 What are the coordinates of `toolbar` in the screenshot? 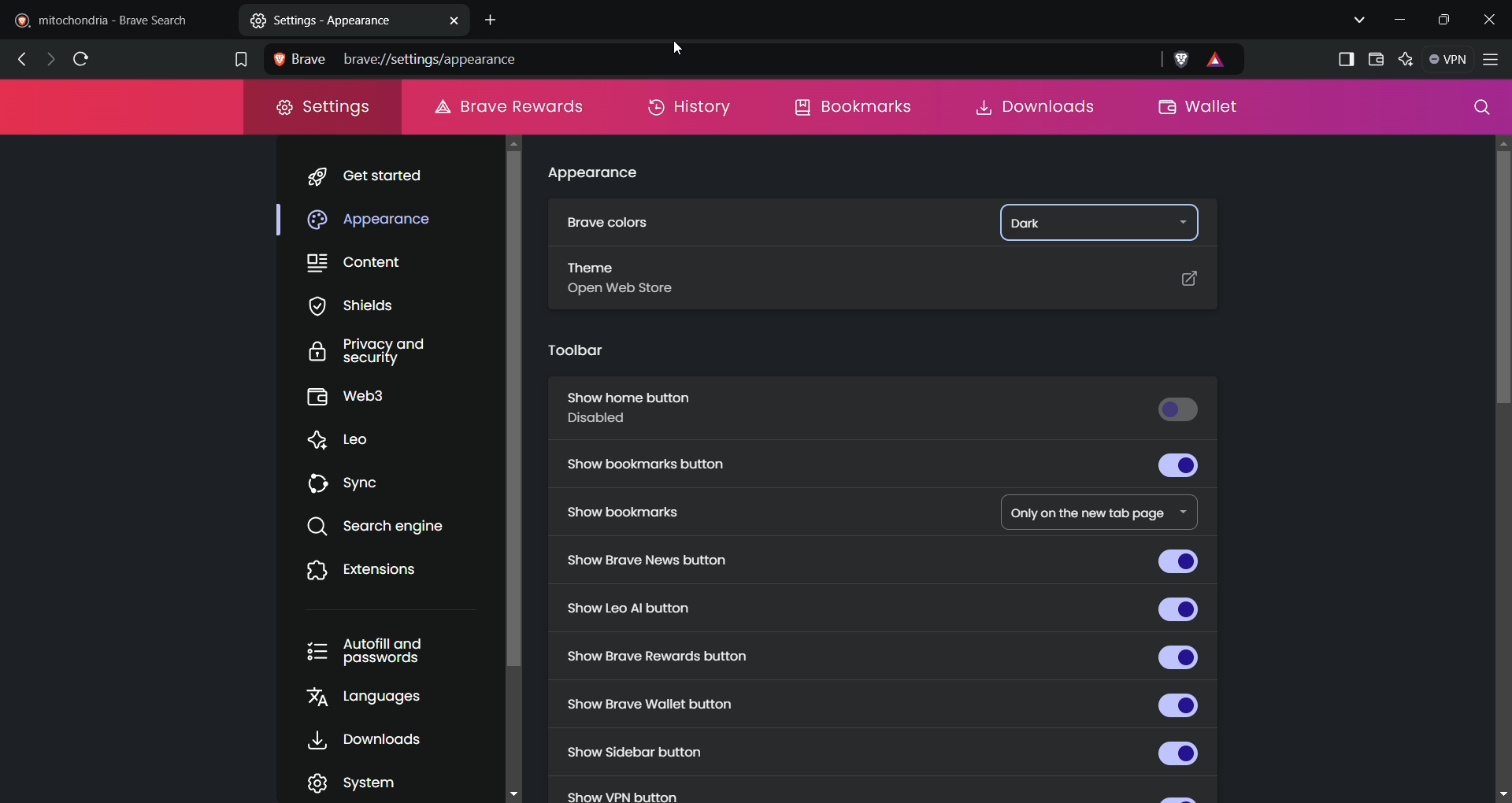 It's located at (573, 350).